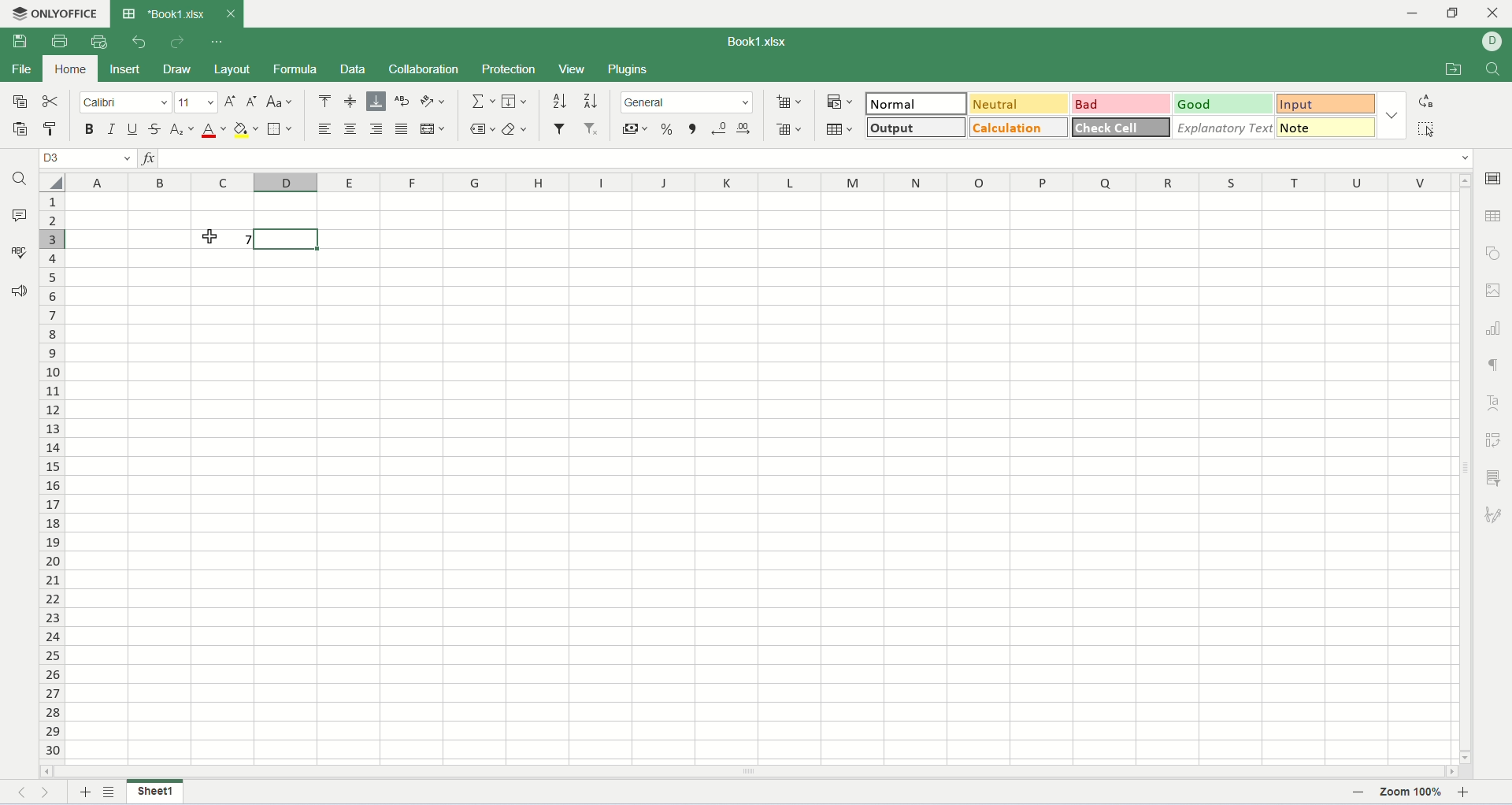 This screenshot has width=1512, height=805. What do you see at coordinates (1493, 42) in the screenshot?
I see `username` at bounding box center [1493, 42].